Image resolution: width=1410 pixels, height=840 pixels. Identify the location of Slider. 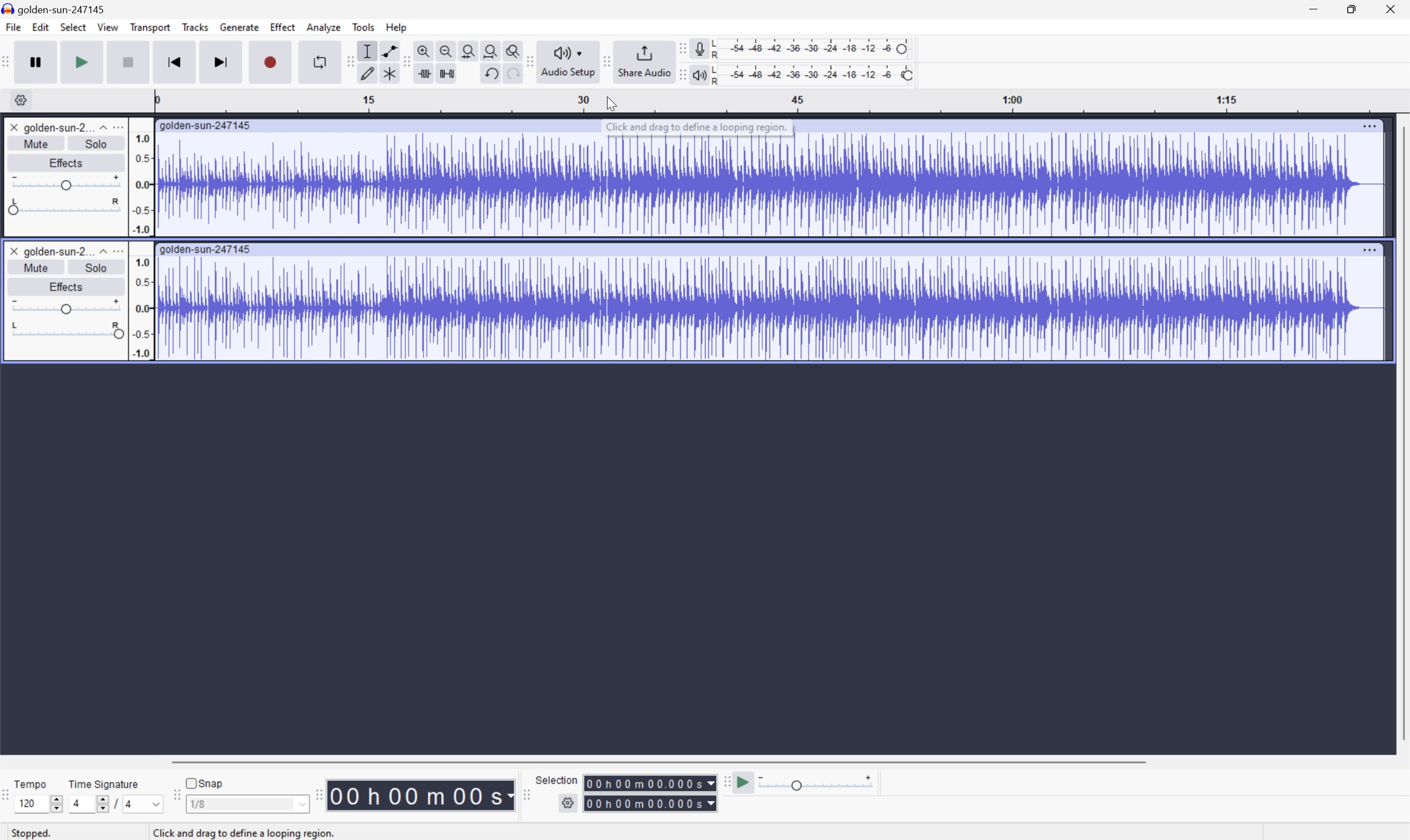
(54, 801).